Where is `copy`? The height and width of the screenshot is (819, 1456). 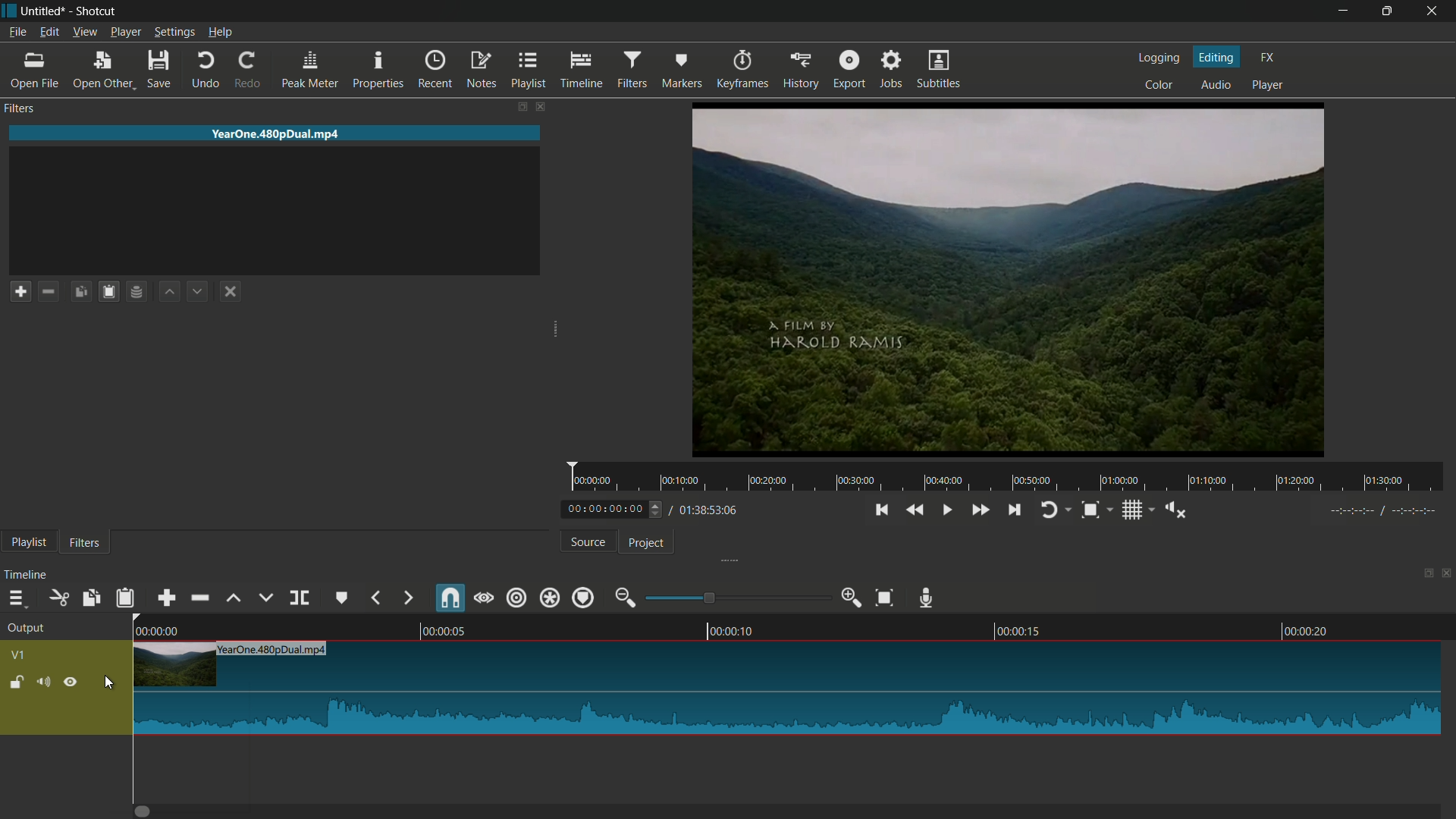 copy is located at coordinates (93, 598).